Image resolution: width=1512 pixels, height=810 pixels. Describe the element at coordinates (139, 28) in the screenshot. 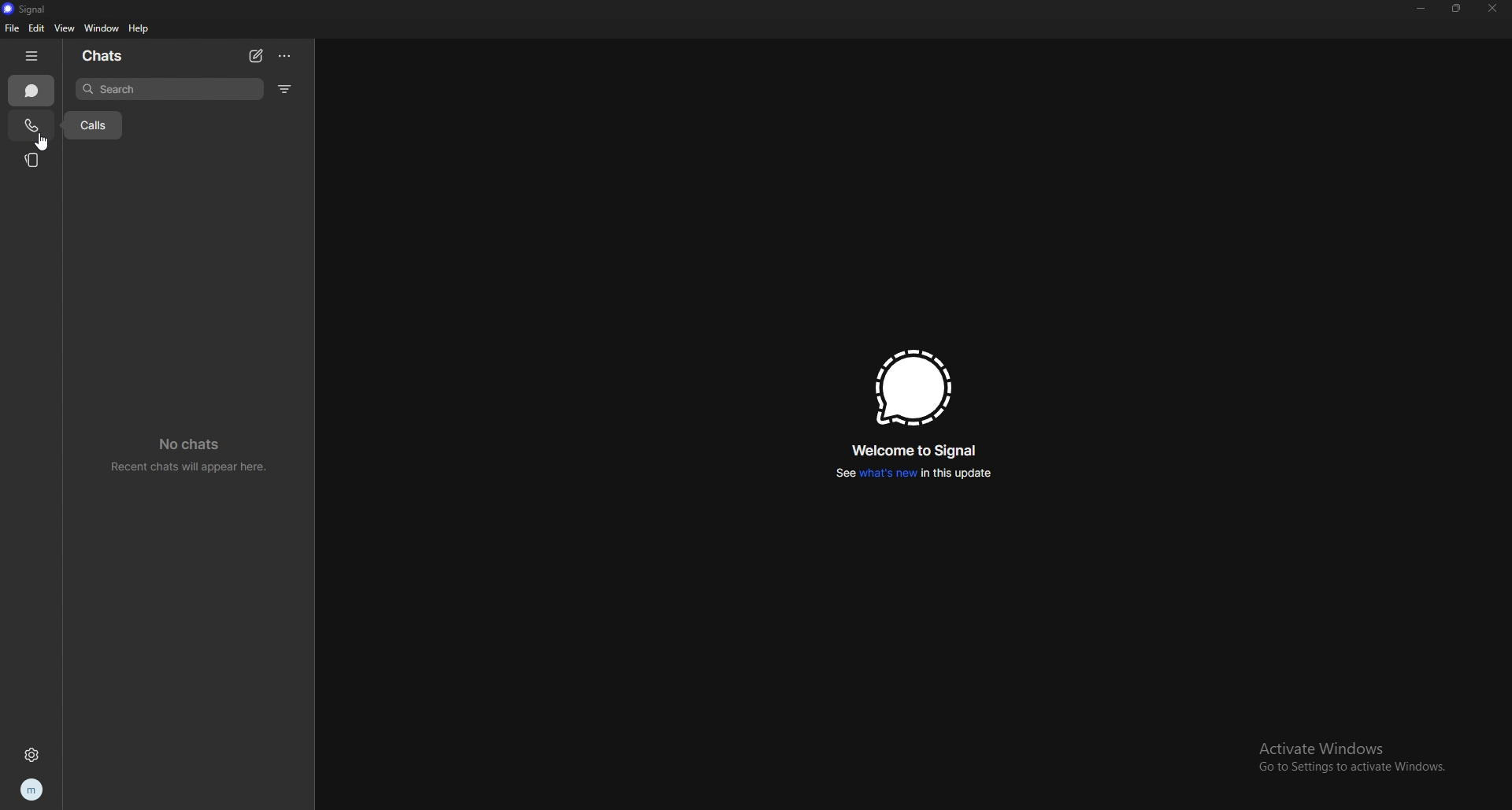

I see `help` at that location.